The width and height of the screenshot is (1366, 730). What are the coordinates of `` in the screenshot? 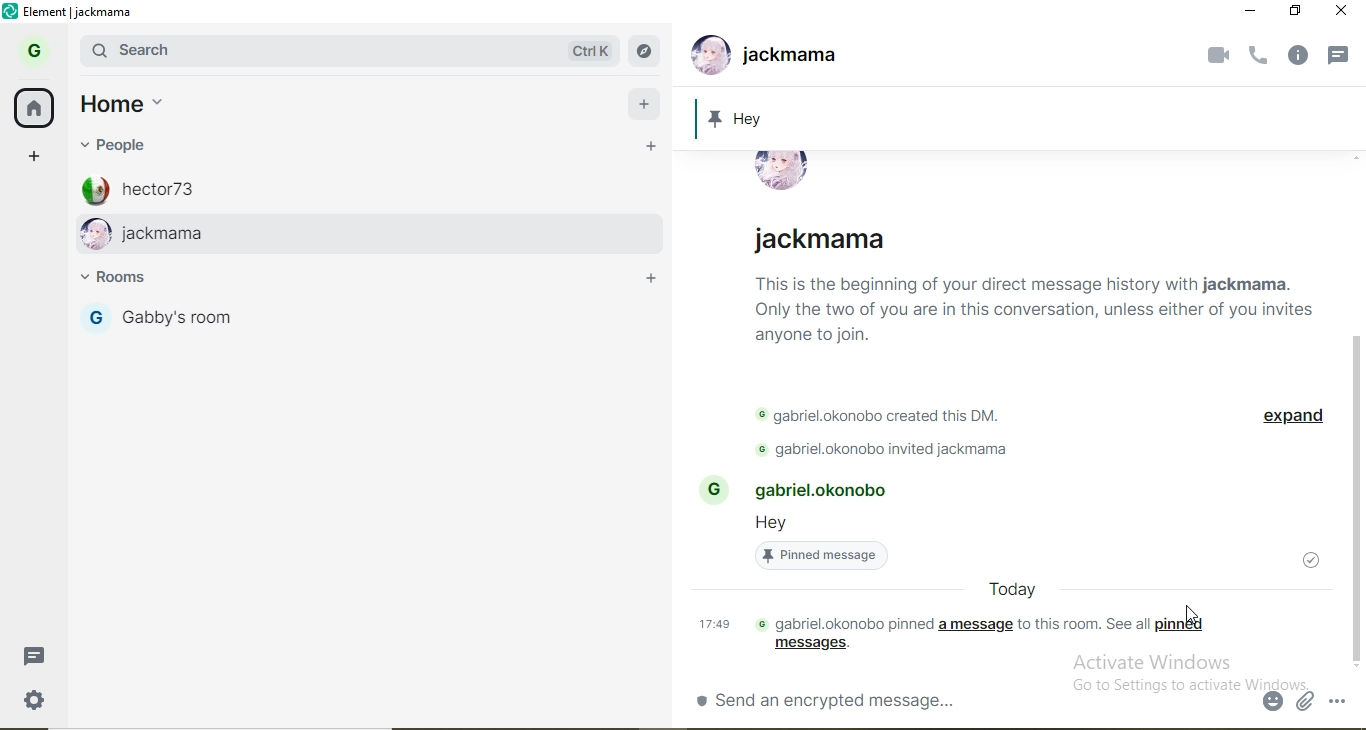 It's located at (1343, 55).